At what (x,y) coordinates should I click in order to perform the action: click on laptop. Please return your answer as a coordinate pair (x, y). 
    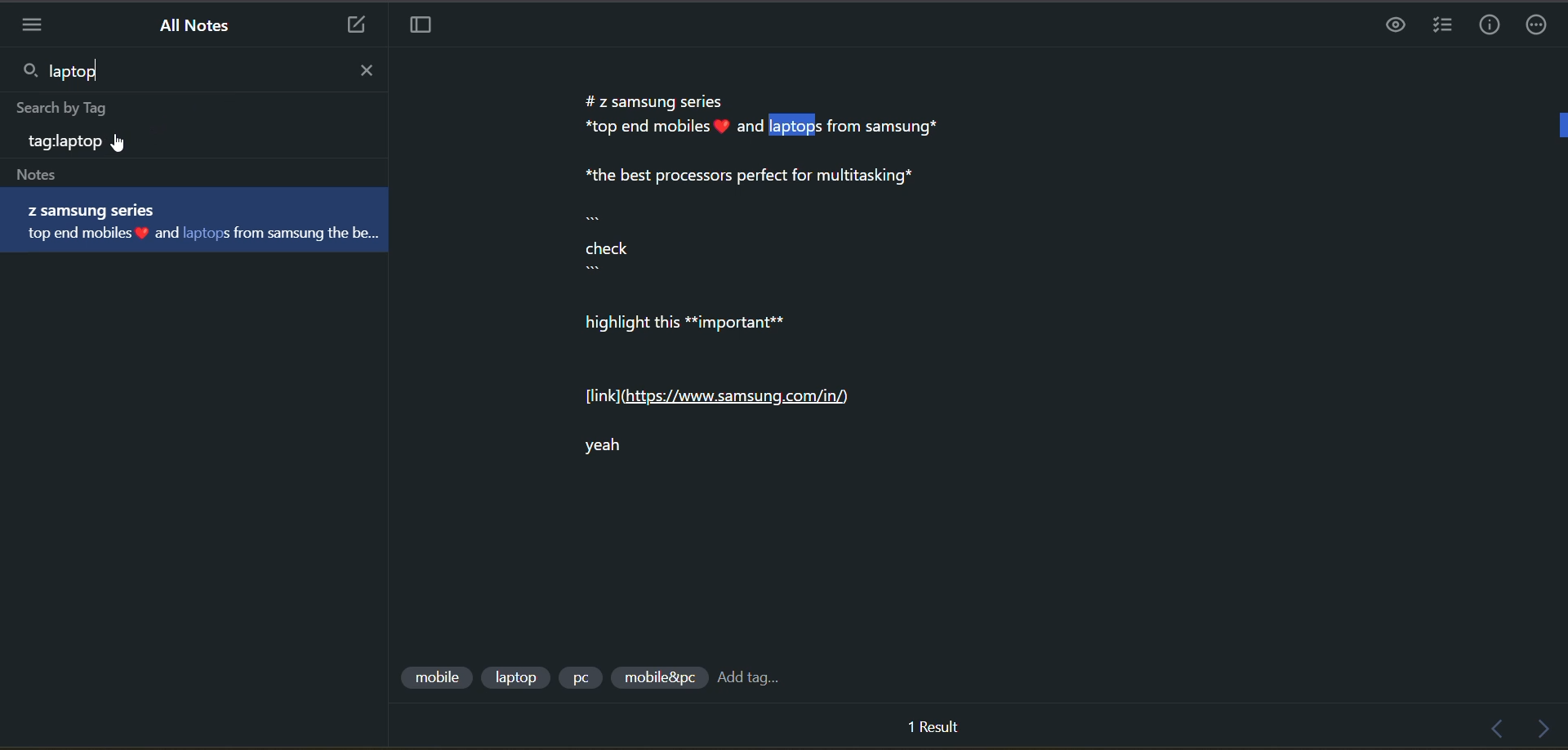
    Looking at the image, I should click on (515, 678).